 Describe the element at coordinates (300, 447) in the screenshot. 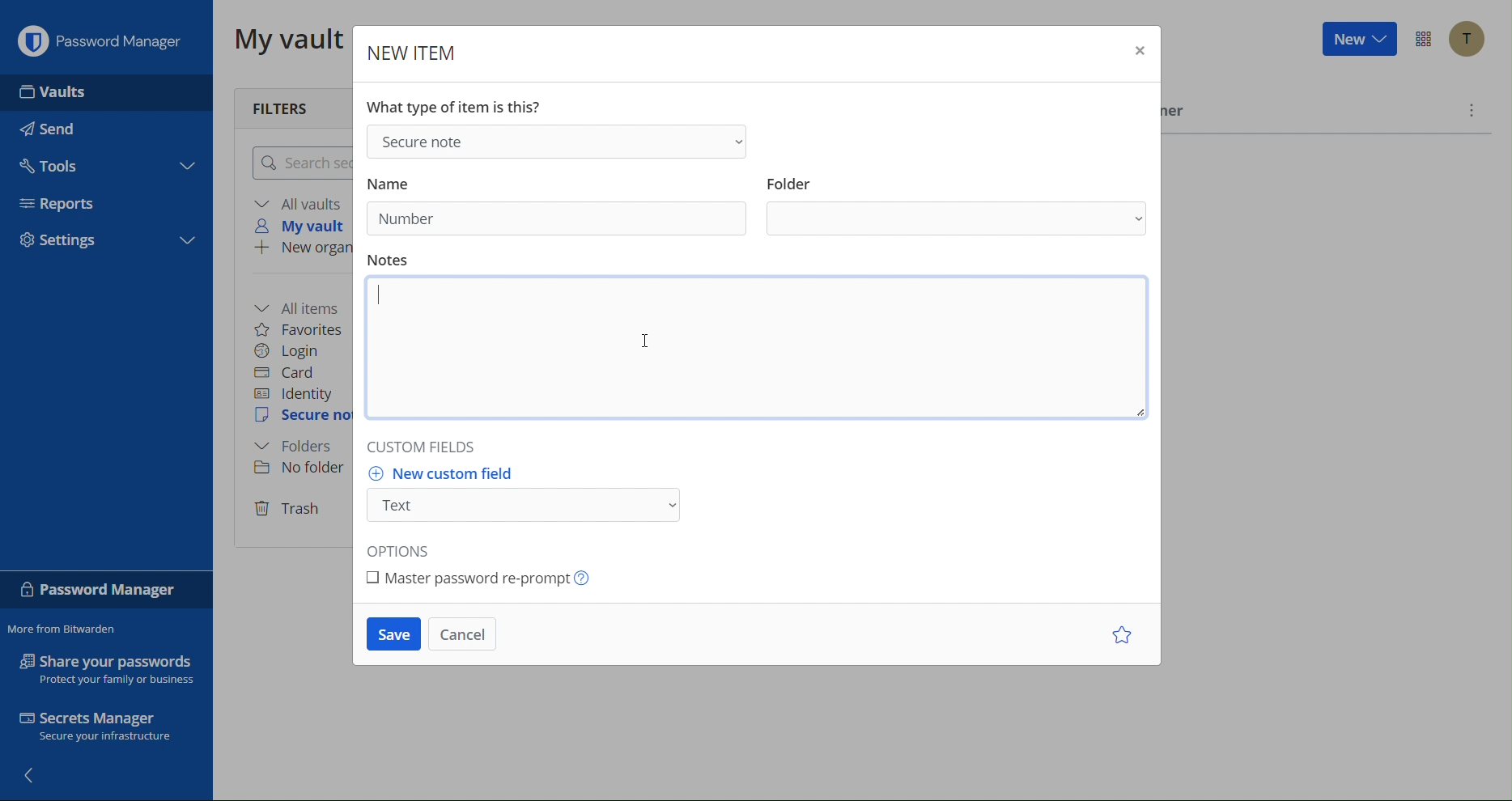

I see `Folder` at that location.